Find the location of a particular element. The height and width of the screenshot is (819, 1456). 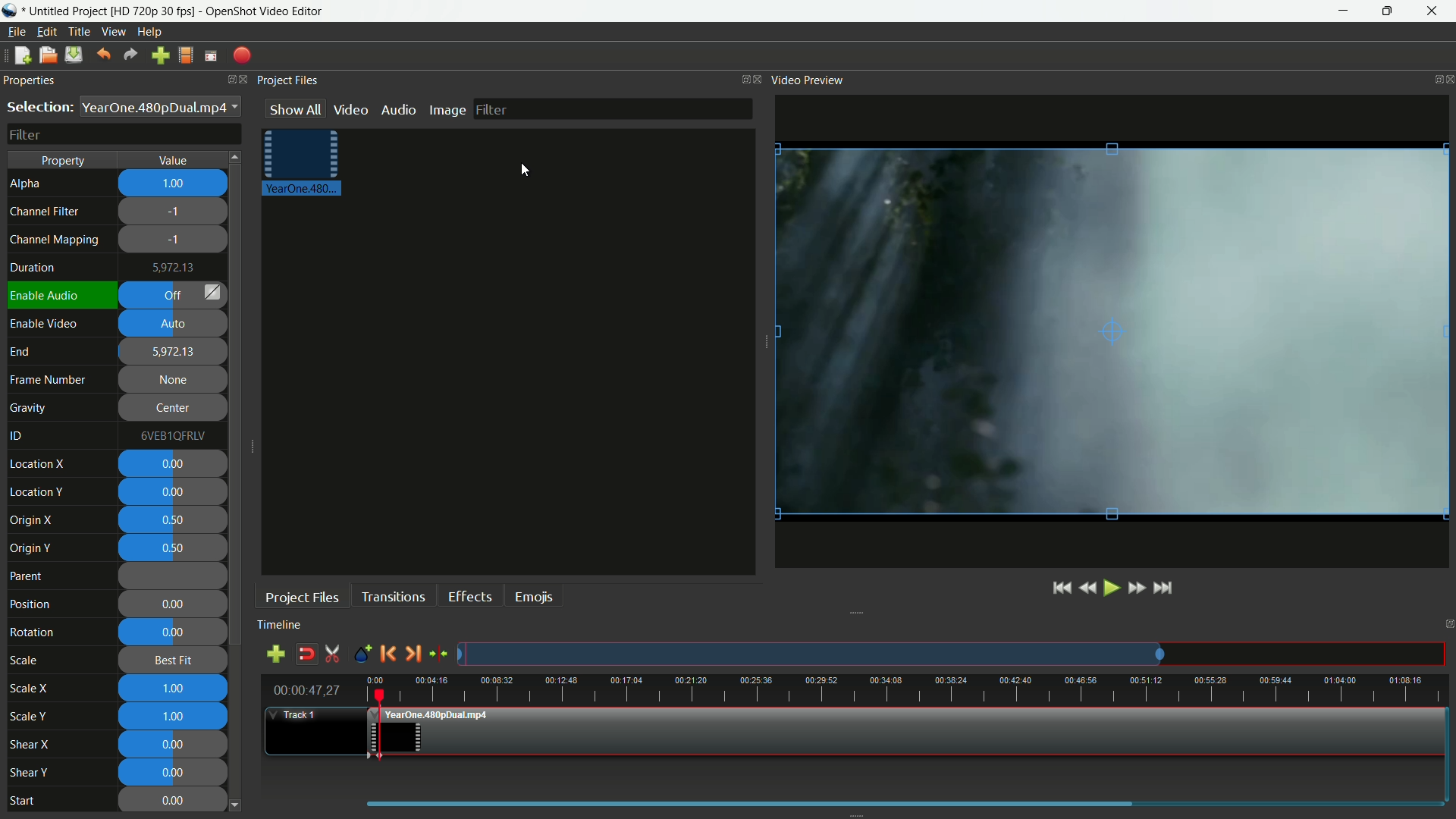

shear y is located at coordinates (29, 773).